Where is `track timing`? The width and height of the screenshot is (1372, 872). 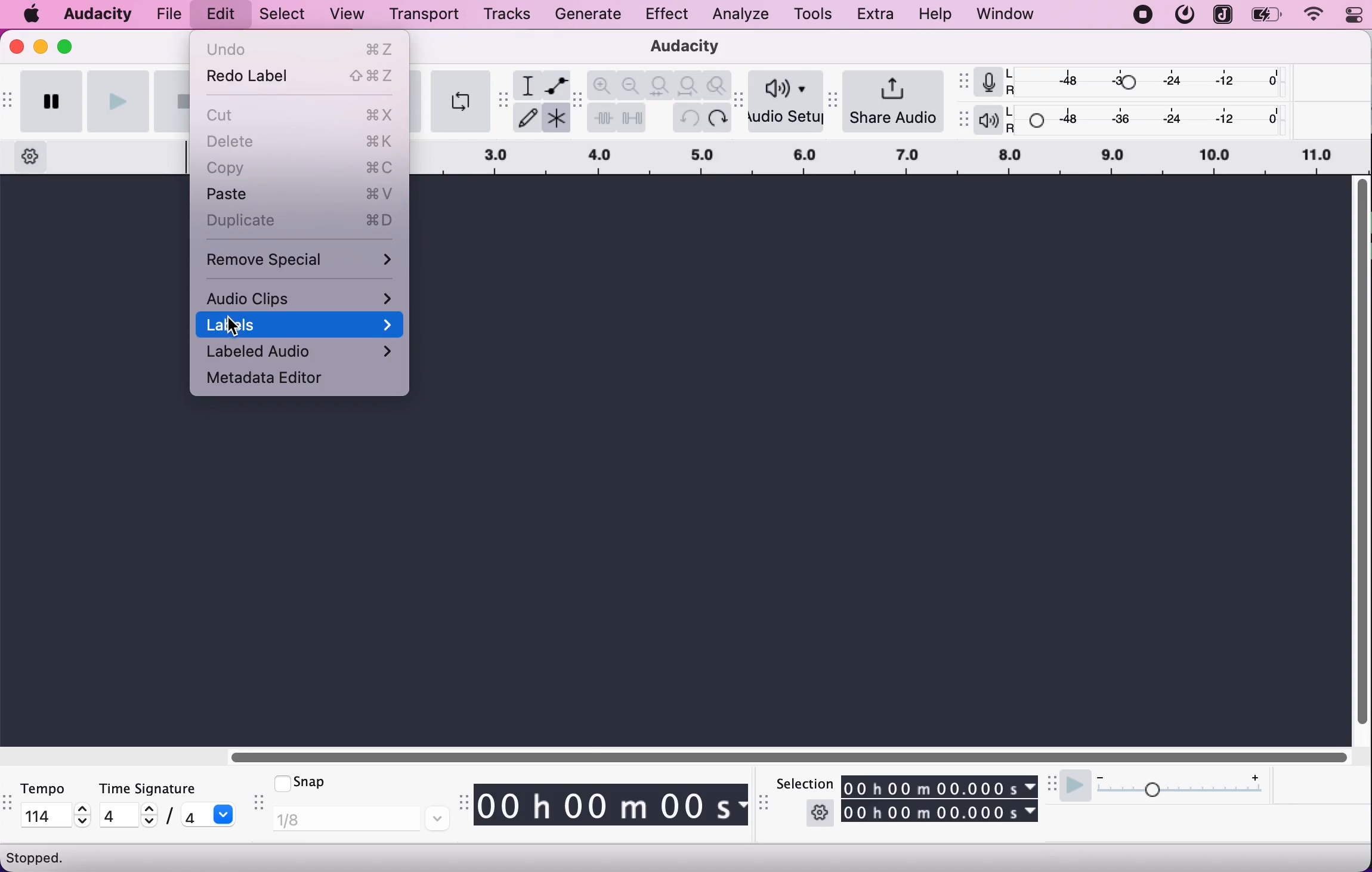 track timing is located at coordinates (941, 812).